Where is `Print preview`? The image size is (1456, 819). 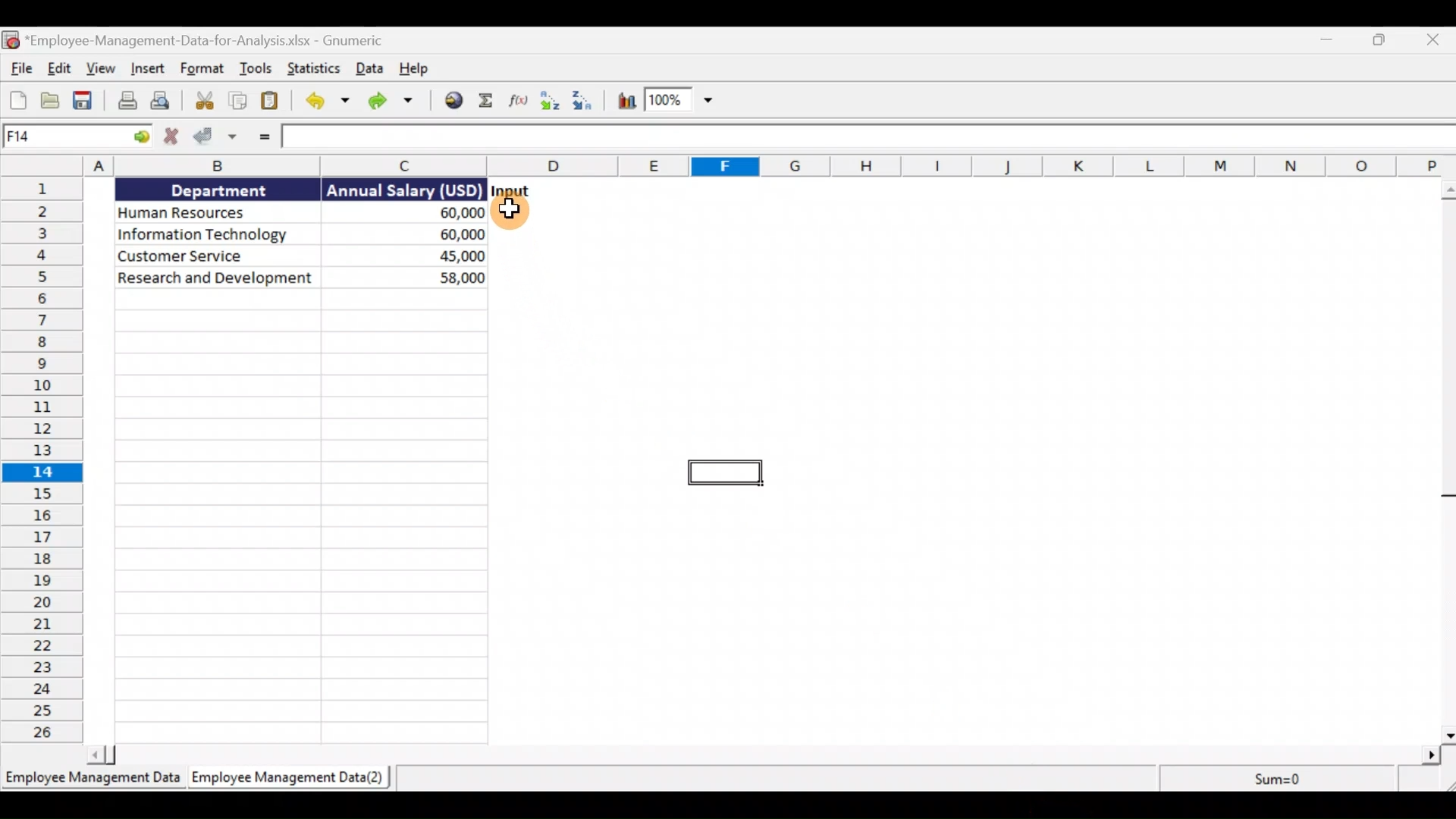
Print preview is located at coordinates (166, 102).